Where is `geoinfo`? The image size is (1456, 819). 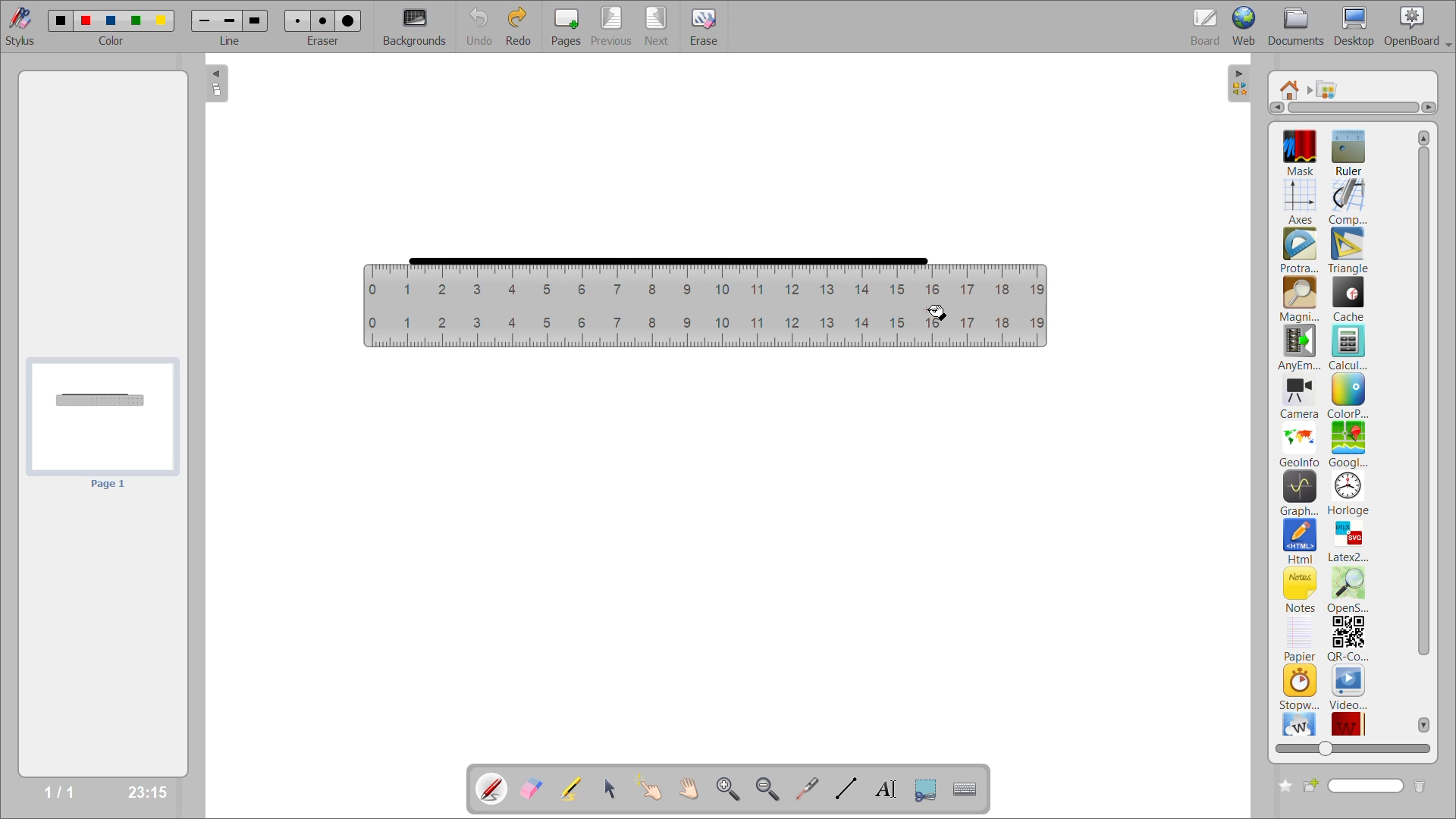
geoinfo is located at coordinates (1301, 444).